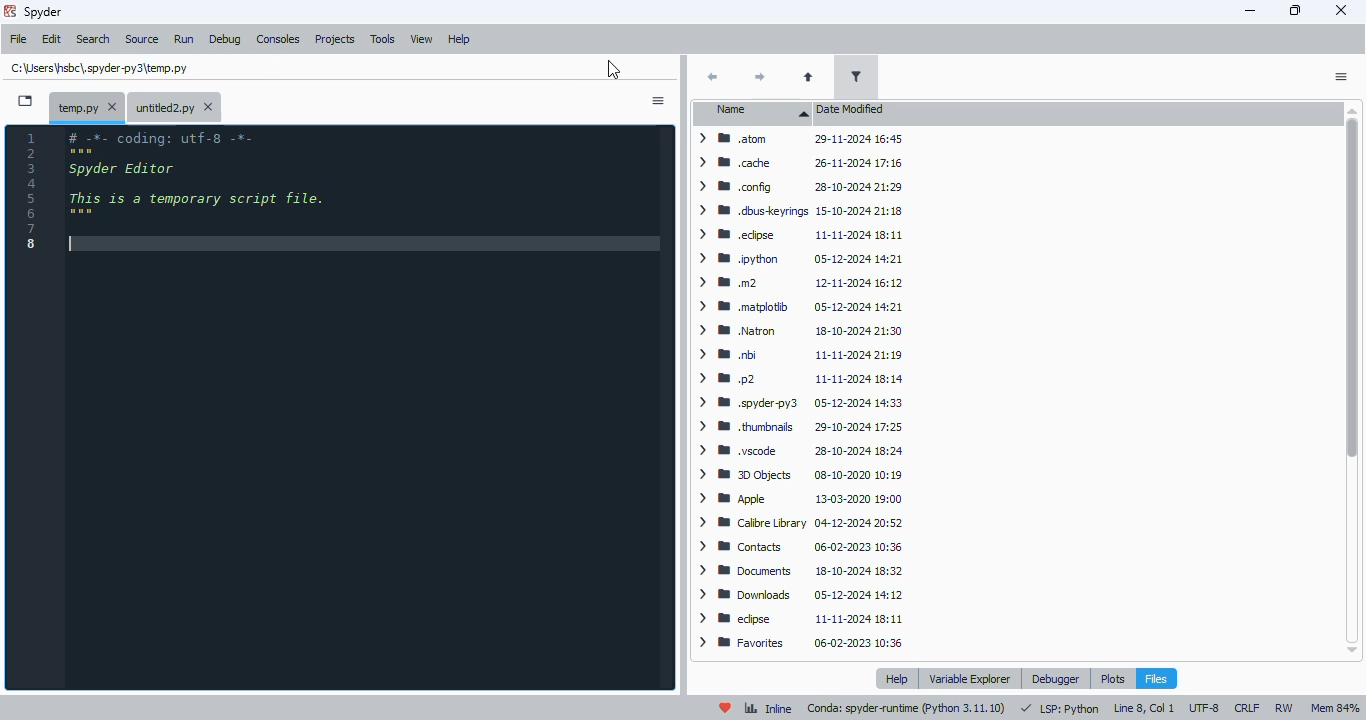  Describe the element at coordinates (725, 708) in the screenshot. I see `help spyder!` at that location.